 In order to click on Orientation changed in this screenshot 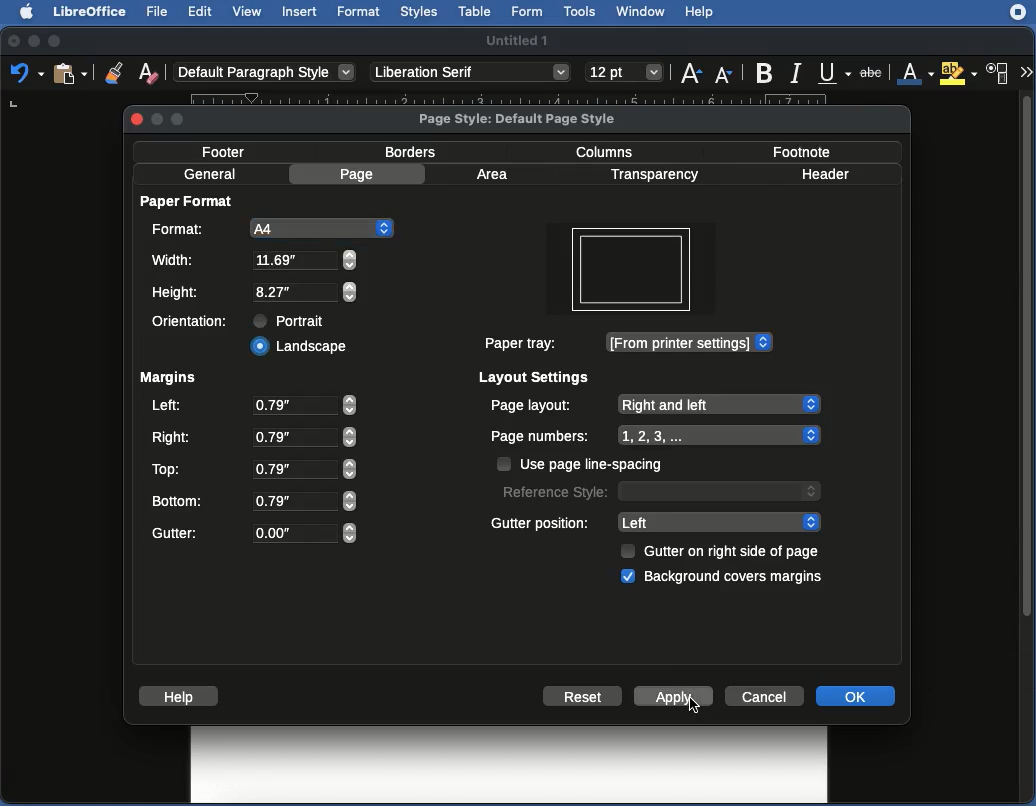, I will do `click(634, 278)`.